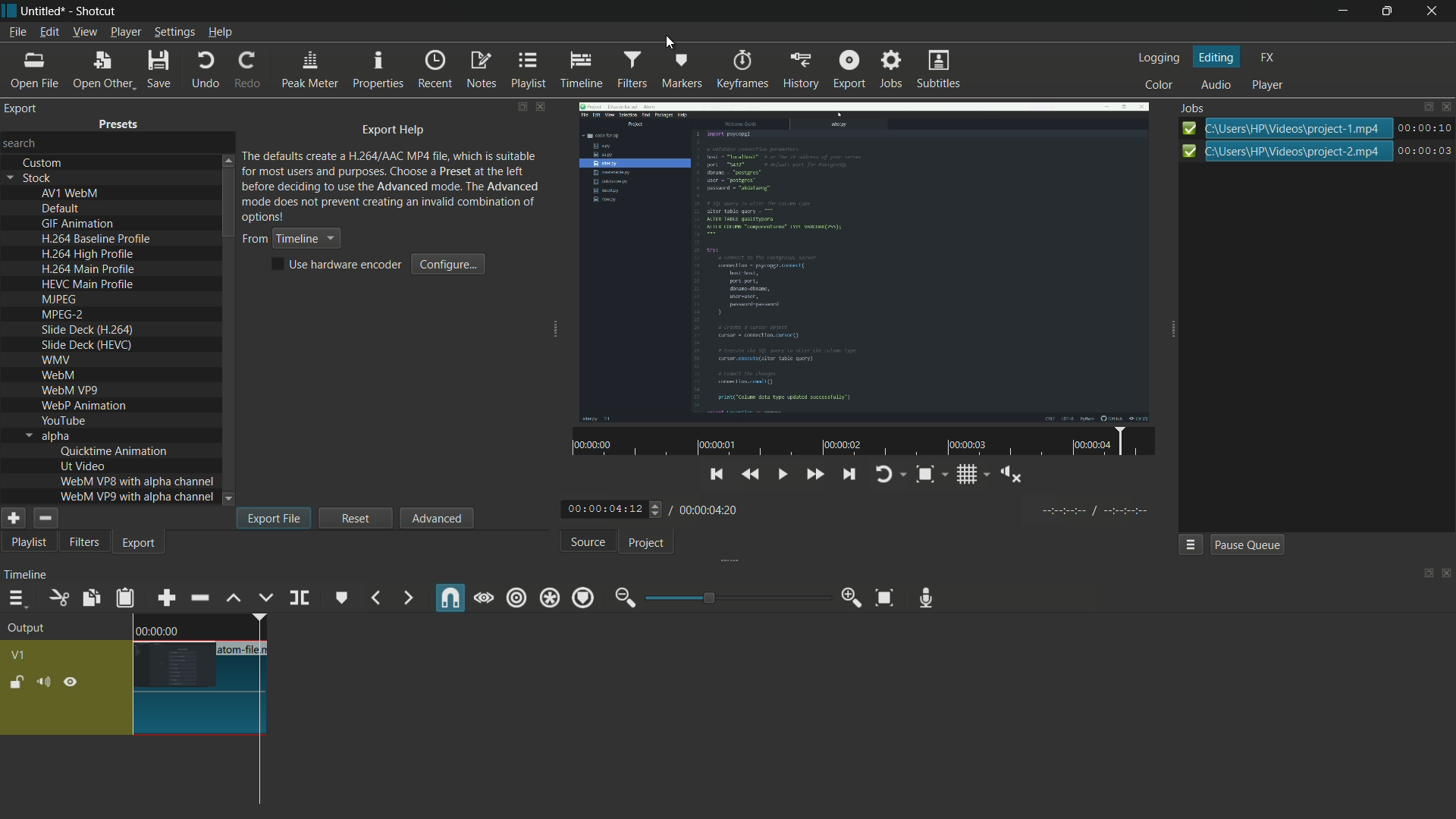  Describe the element at coordinates (86, 344) in the screenshot. I see `slide deck(hevc)` at that location.